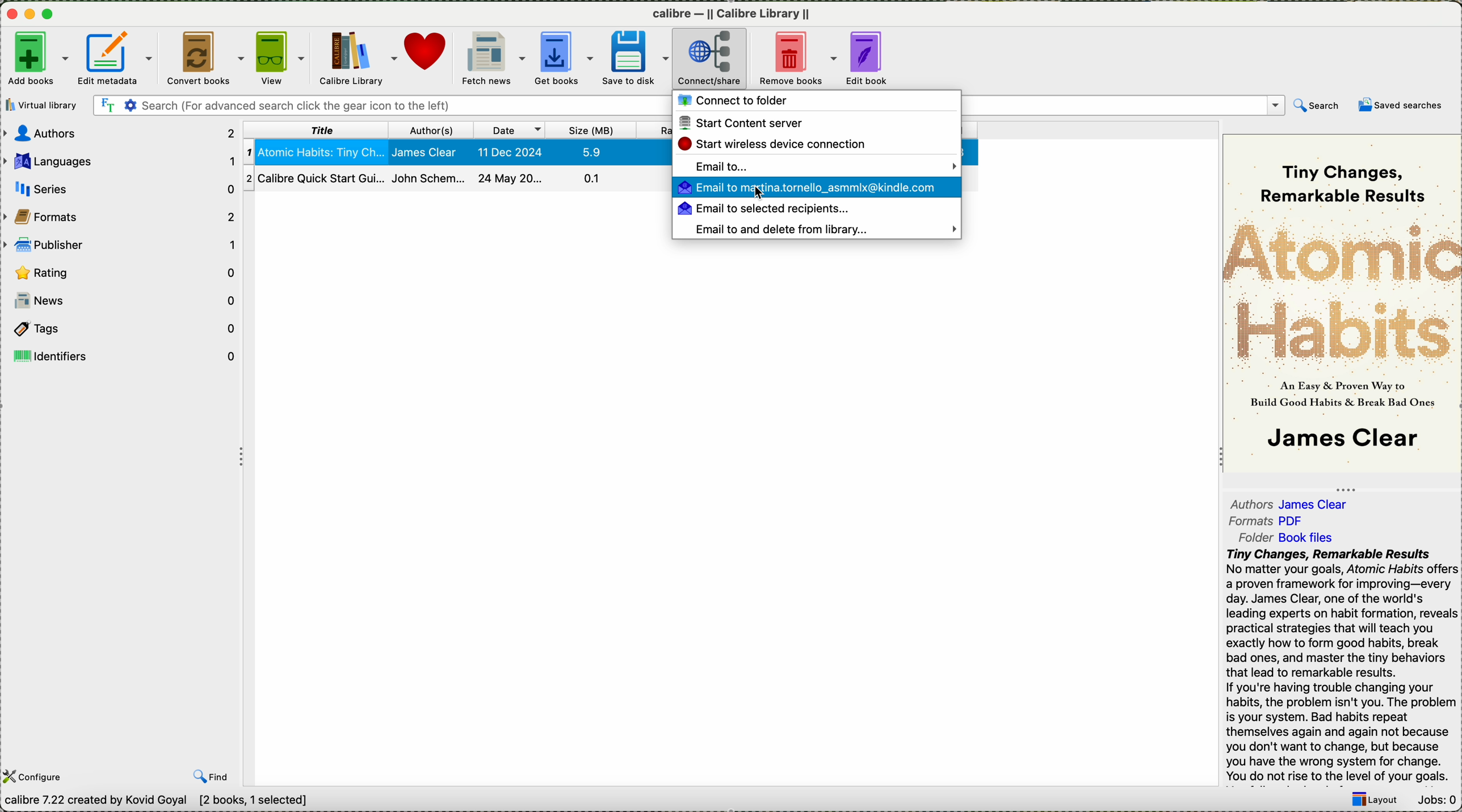 The height and width of the screenshot is (812, 1462). Describe the element at coordinates (731, 15) in the screenshot. I see `calibre` at that location.